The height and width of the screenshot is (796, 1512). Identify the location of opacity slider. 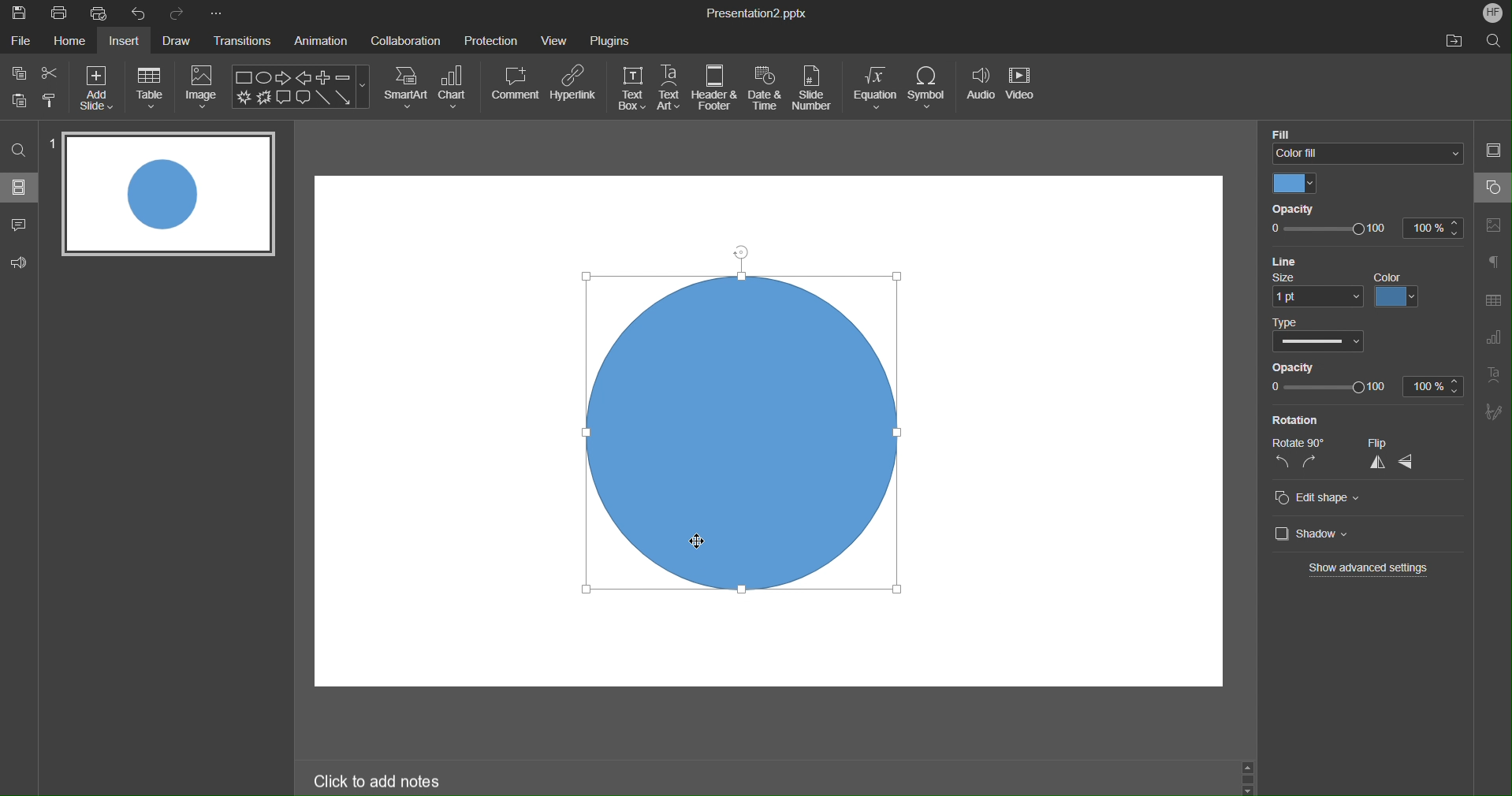
(1328, 388).